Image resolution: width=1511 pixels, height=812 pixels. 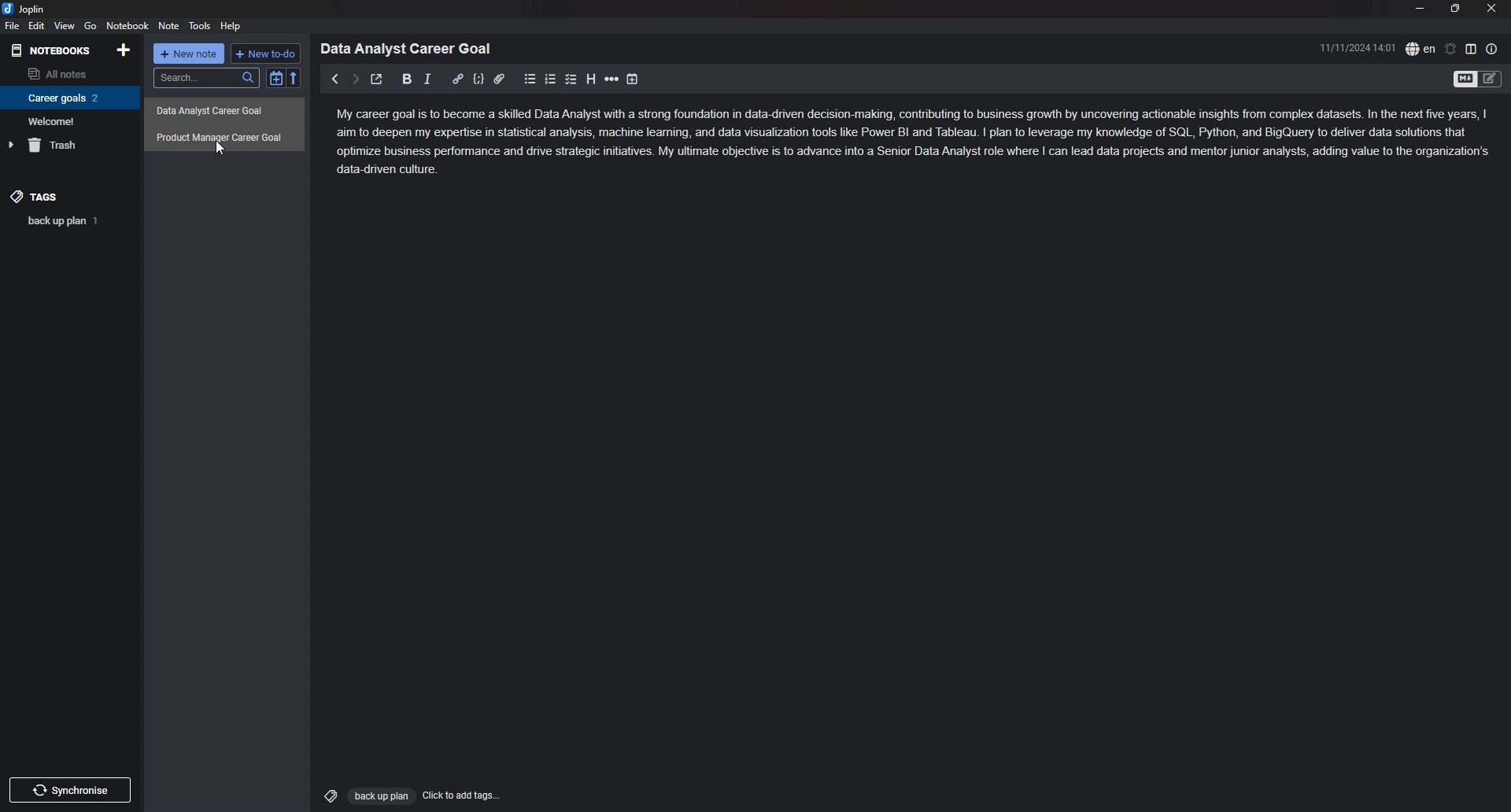 What do you see at coordinates (1451, 49) in the screenshot?
I see `set alarm` at bounding box center [1451, 49].